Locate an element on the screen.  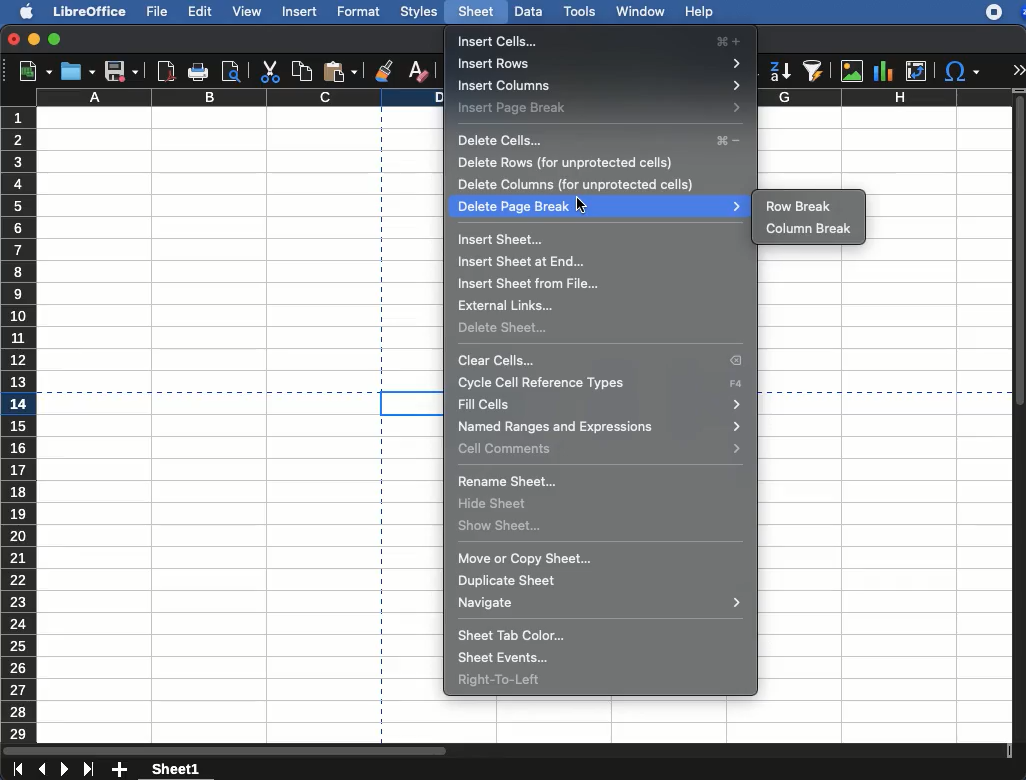
insert sheet is located at coordinates (502, 240).